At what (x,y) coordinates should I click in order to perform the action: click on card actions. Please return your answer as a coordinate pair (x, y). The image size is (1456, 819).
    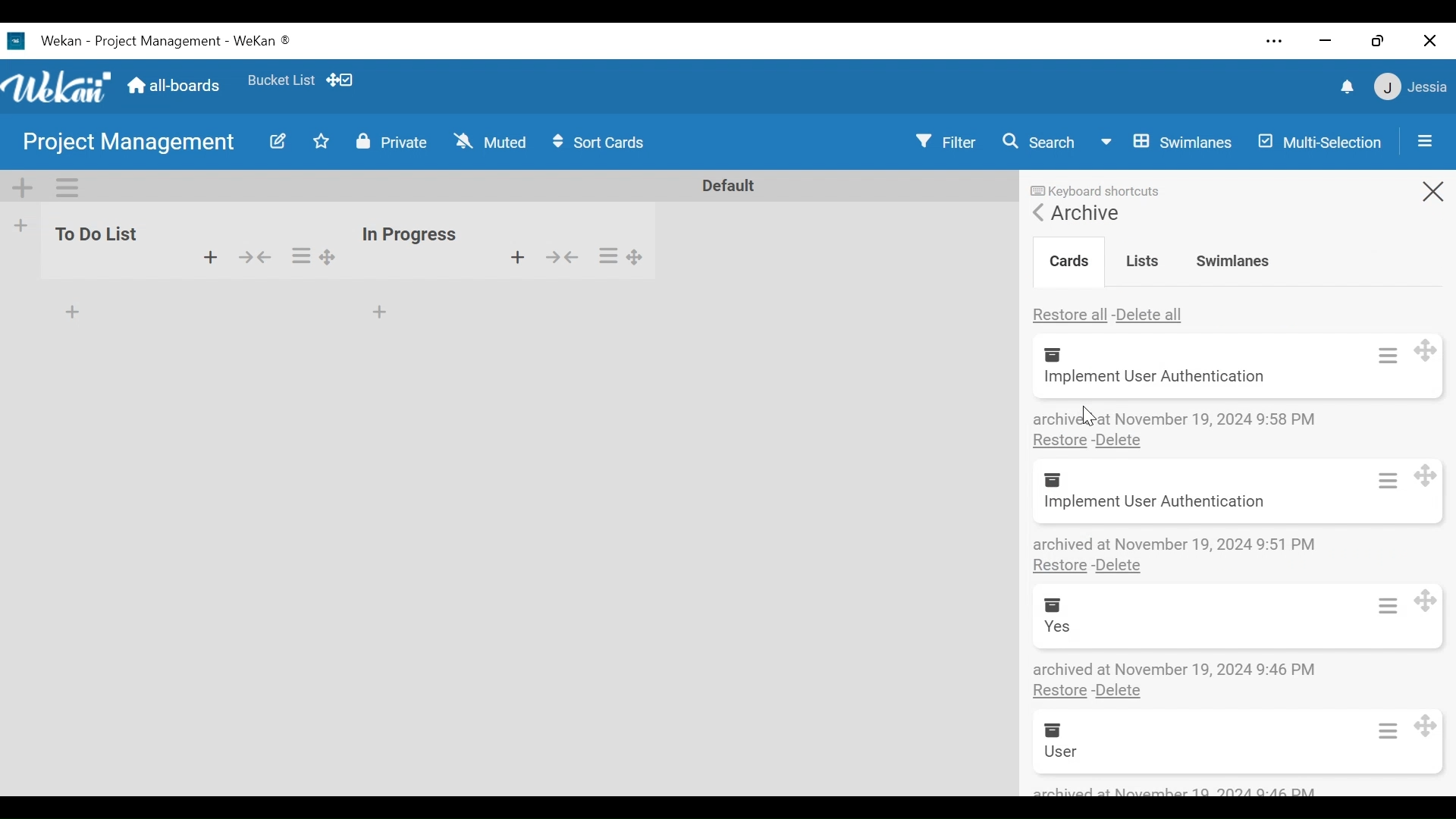
    Looking at the image, I should click on (1386, 731).